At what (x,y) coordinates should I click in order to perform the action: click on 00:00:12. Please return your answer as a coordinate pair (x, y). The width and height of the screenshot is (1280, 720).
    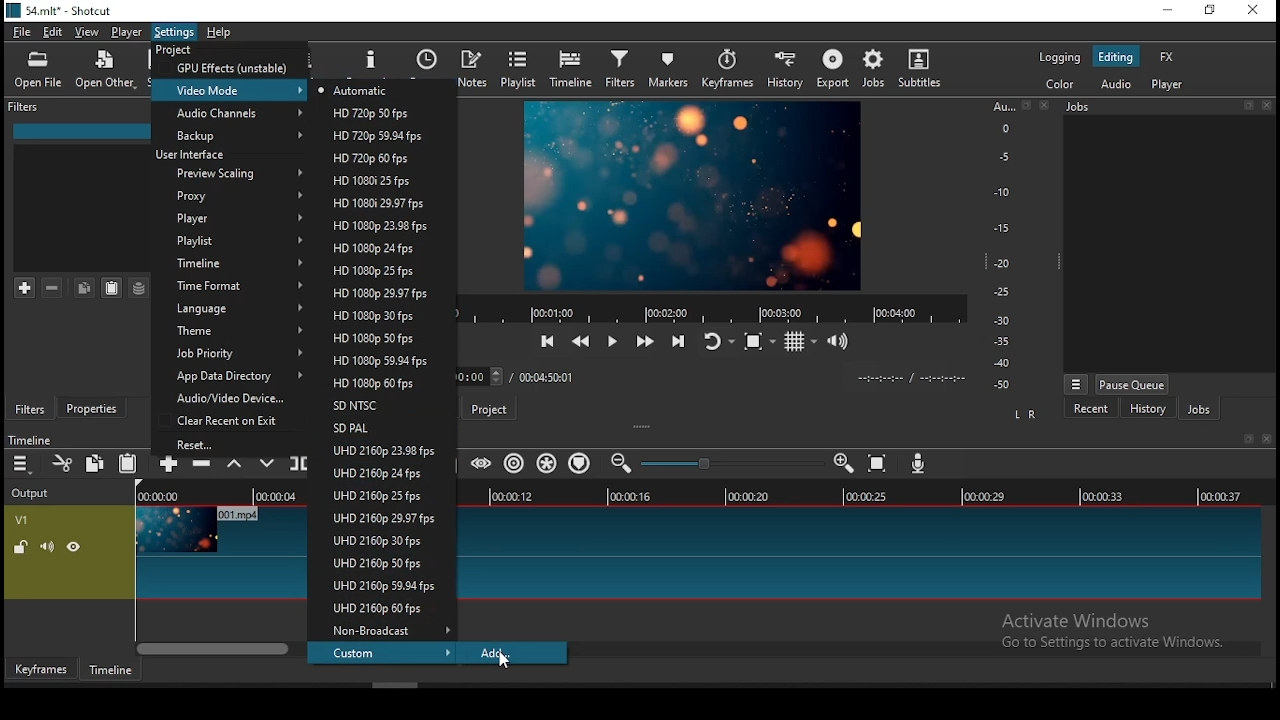
    Looking at the image, I should click on (515, 496).